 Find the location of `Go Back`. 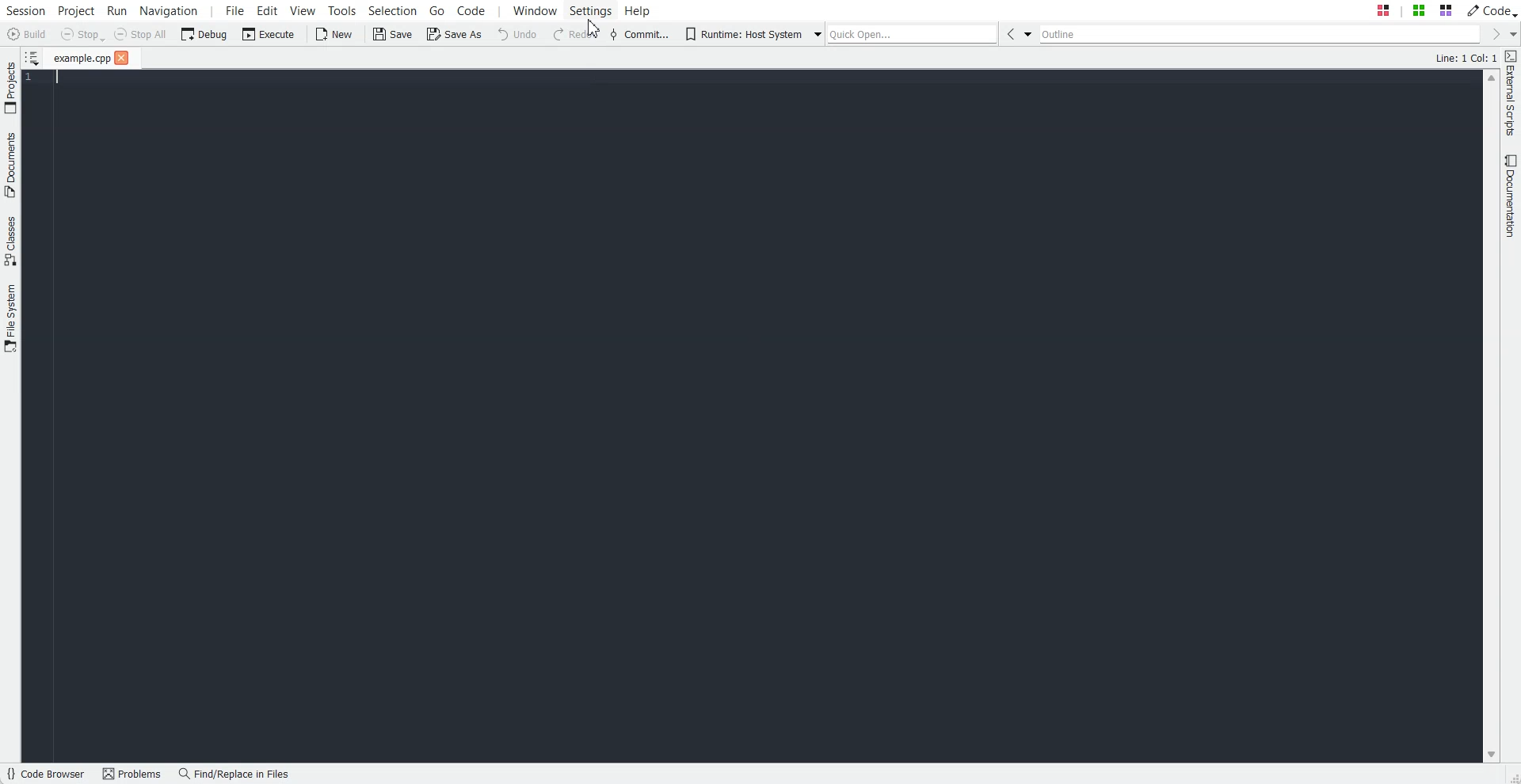

Go Back is located at coordinates (1009, 33).